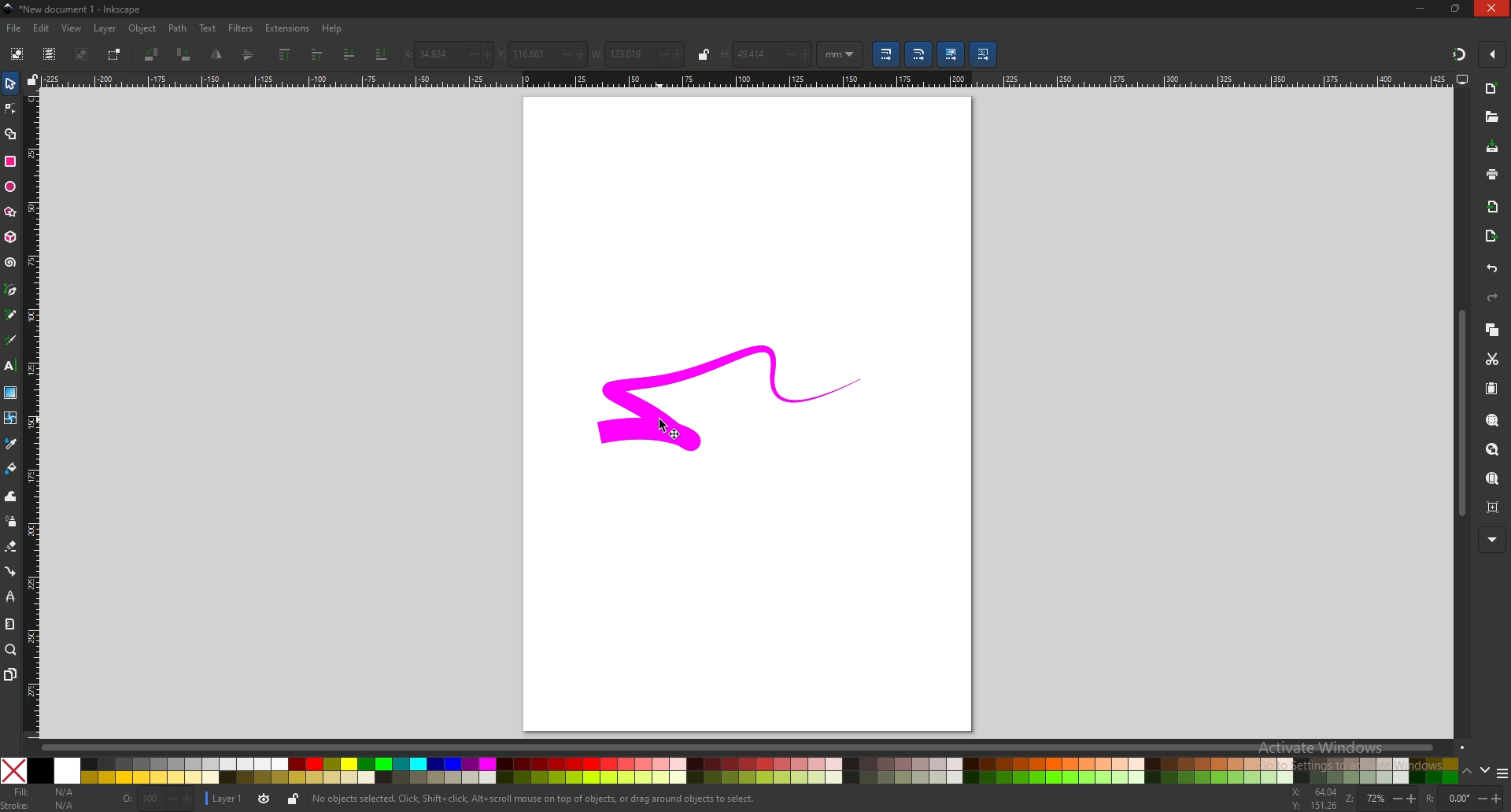 The height and width of the screenshot is (812, 1511). Describe the element at coordinates (1381, 799) in the screenshot. I see `zoom` at that location.